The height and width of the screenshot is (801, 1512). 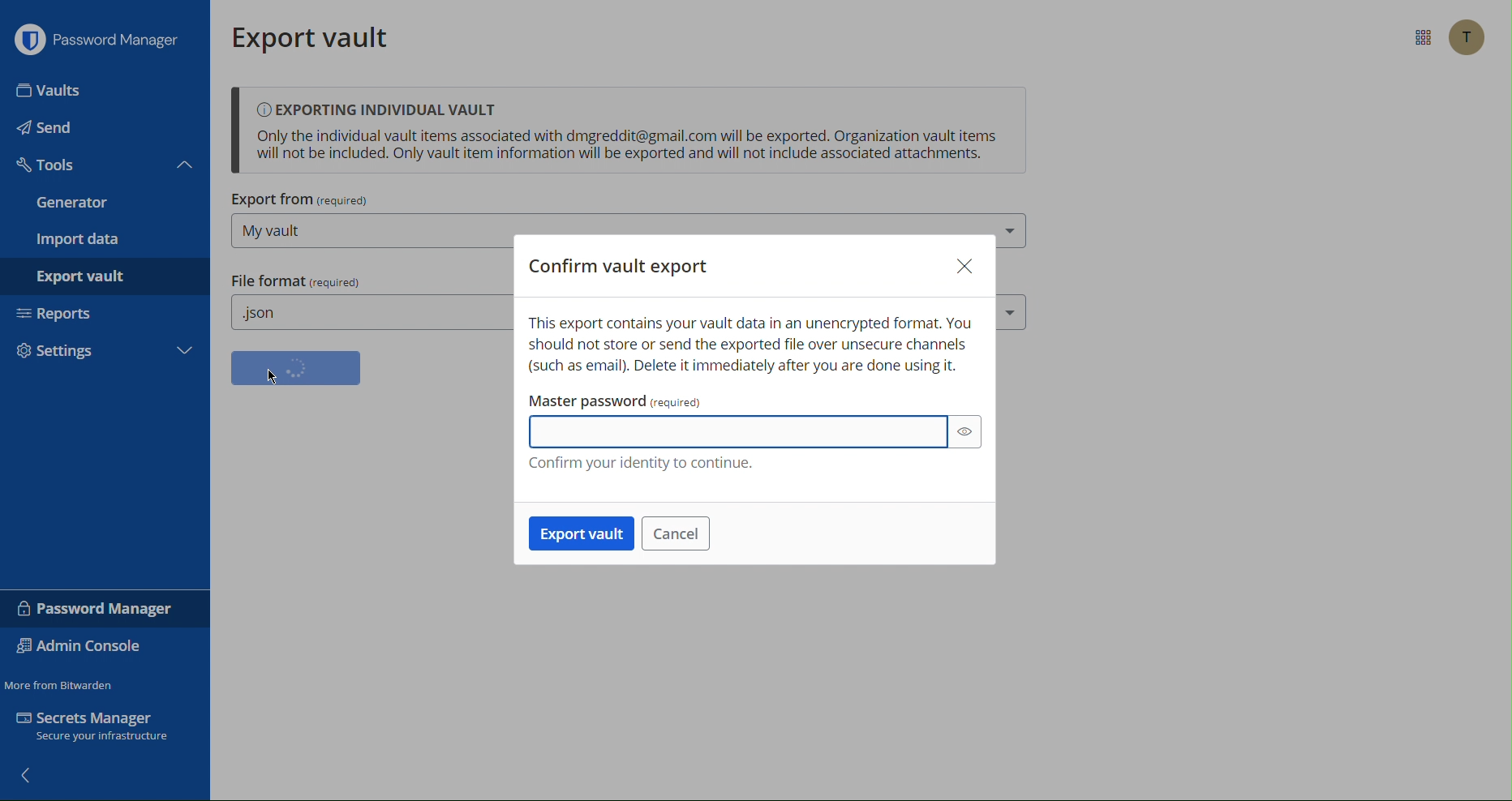 I want to click on File Format, so click(x=295, y=281).